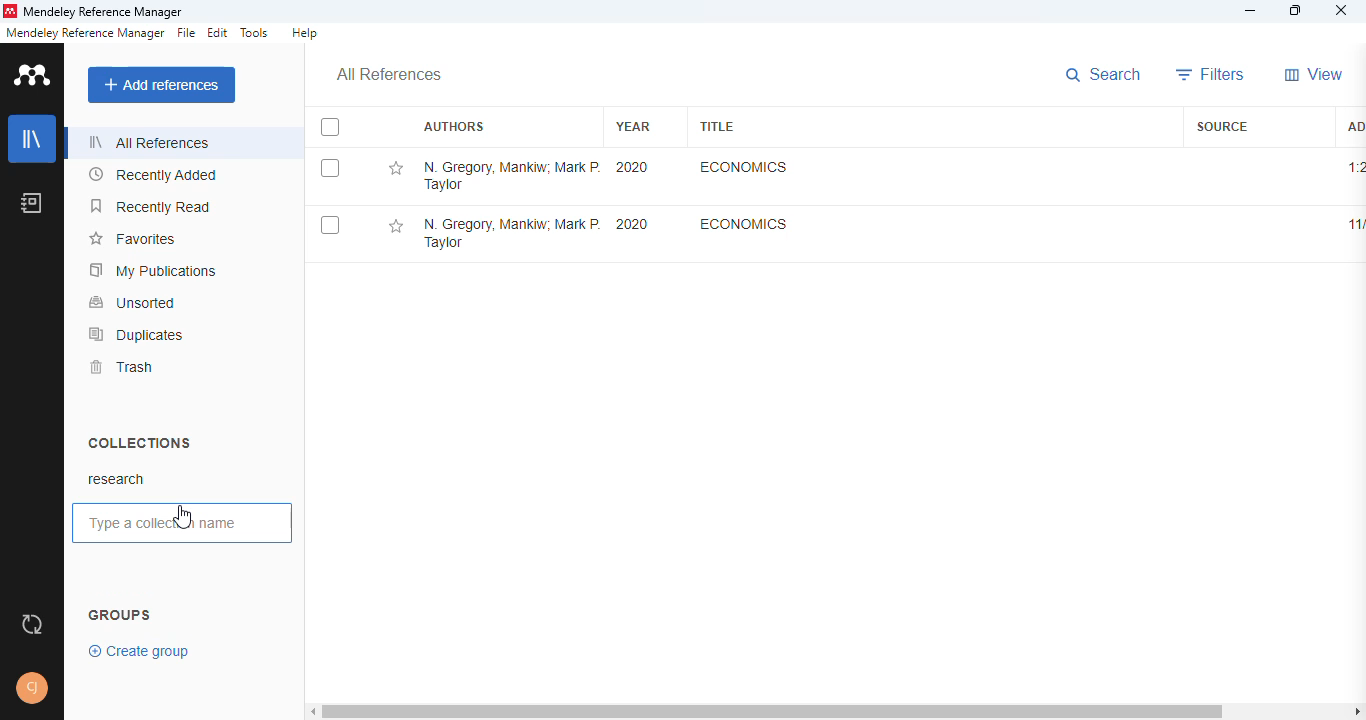 The width and height of the screenshot is (1366, 720). Describe the element at coordinates (255, 33) in the screenshot. I see `tools` at that location.